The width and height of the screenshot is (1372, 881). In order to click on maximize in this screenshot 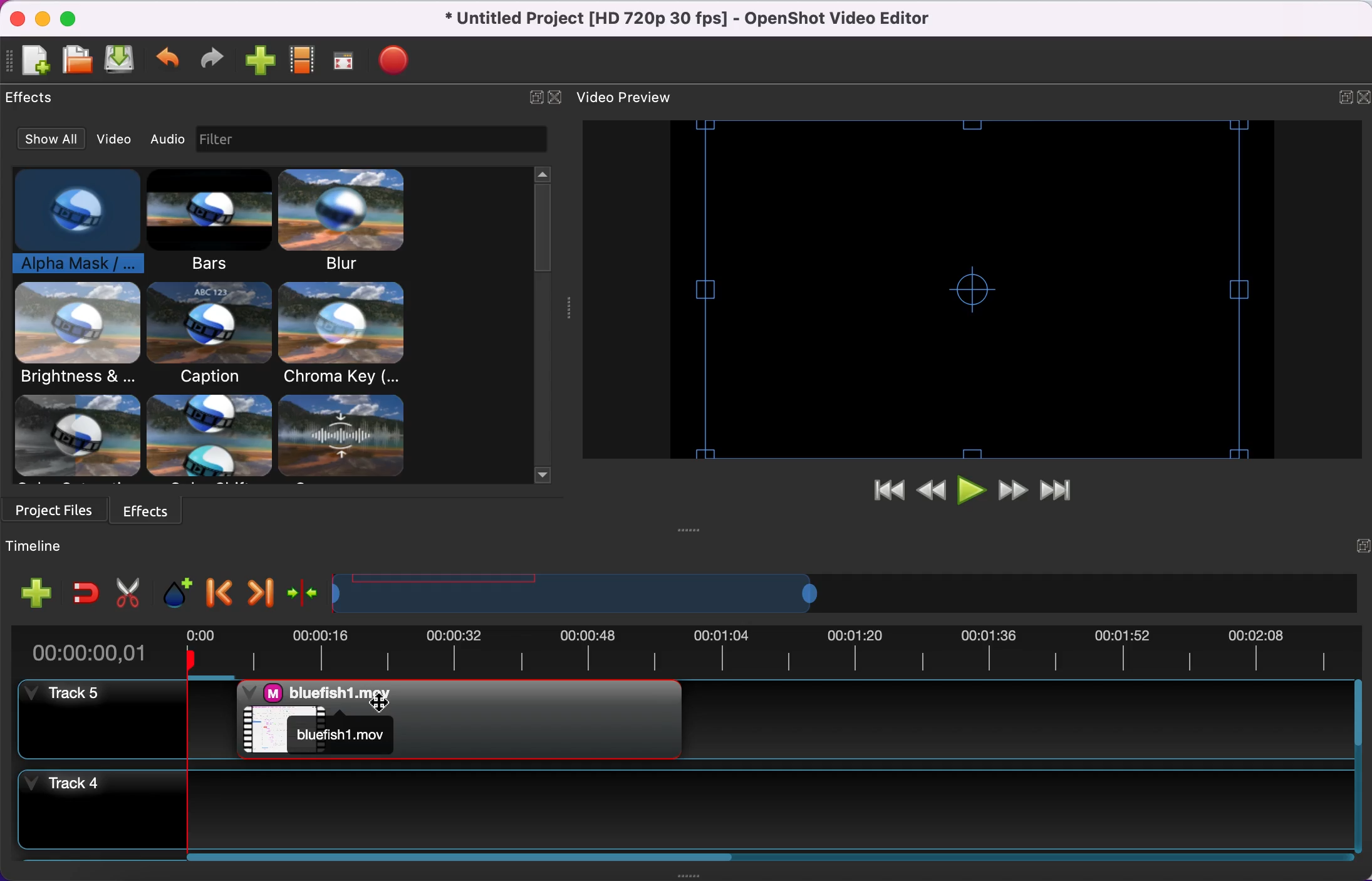, I will do `click(71, 18)`.